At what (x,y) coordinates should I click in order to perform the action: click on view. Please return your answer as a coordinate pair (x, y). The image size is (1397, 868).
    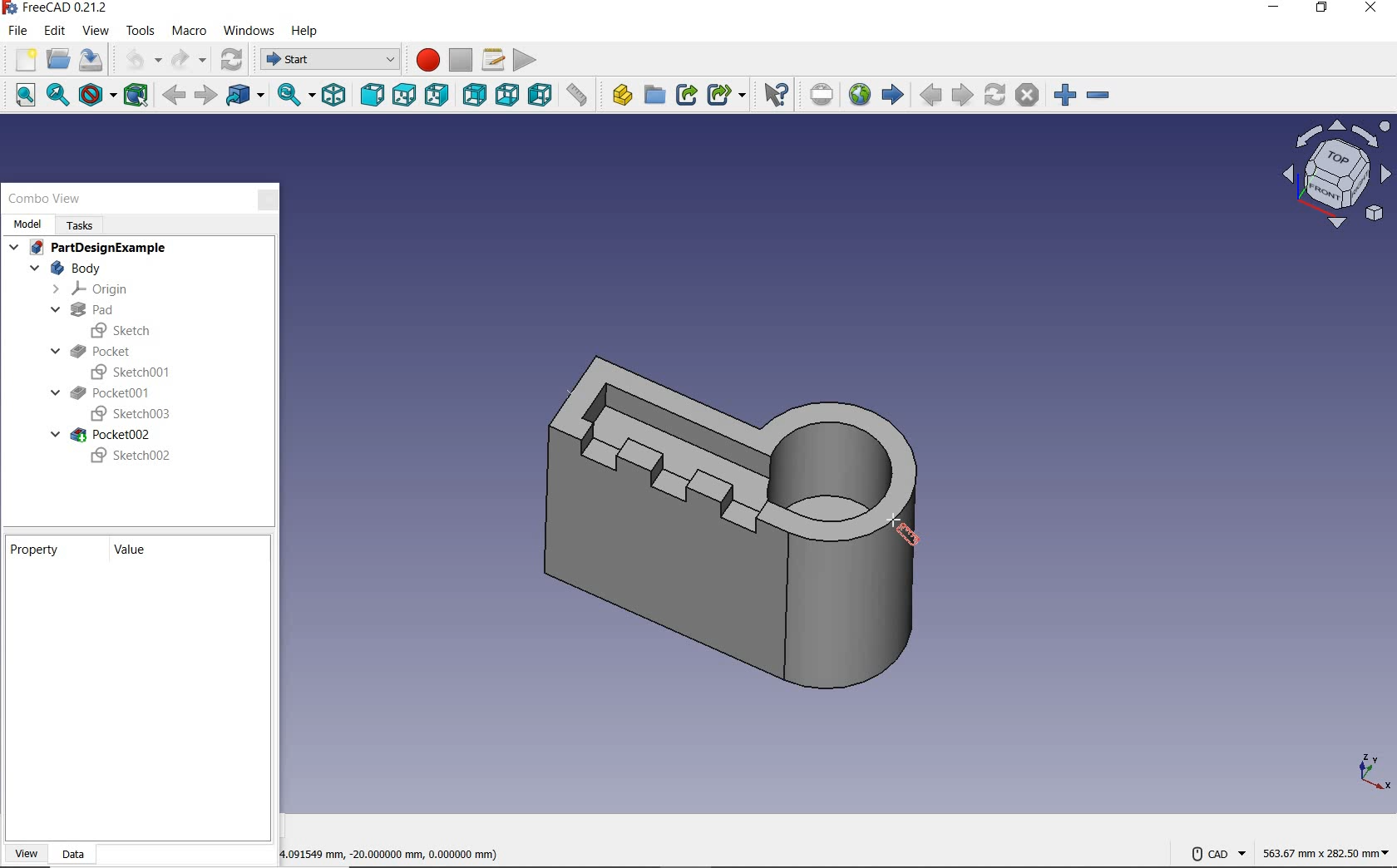
    Looking at the image, I should click on (94, 33).